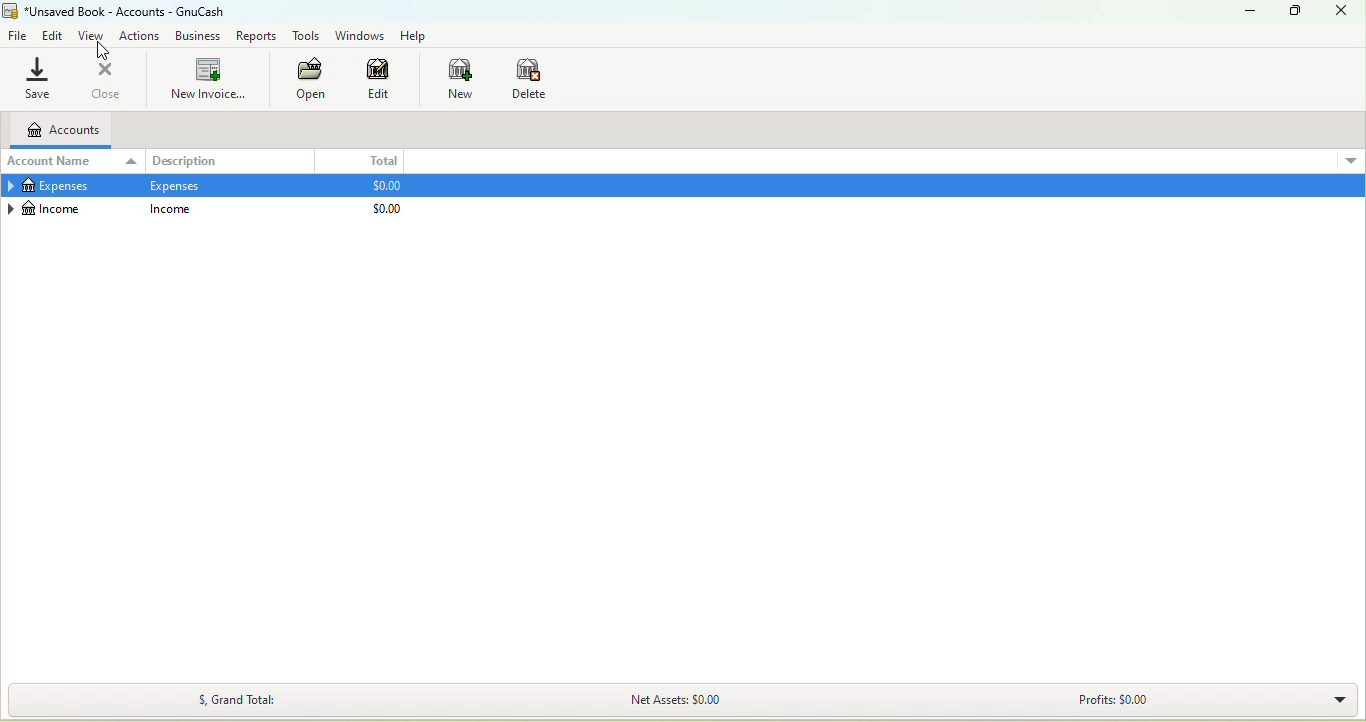  Describe the element at coordinates (208, 79) in the screenshot. I see `New invoice` at that location.